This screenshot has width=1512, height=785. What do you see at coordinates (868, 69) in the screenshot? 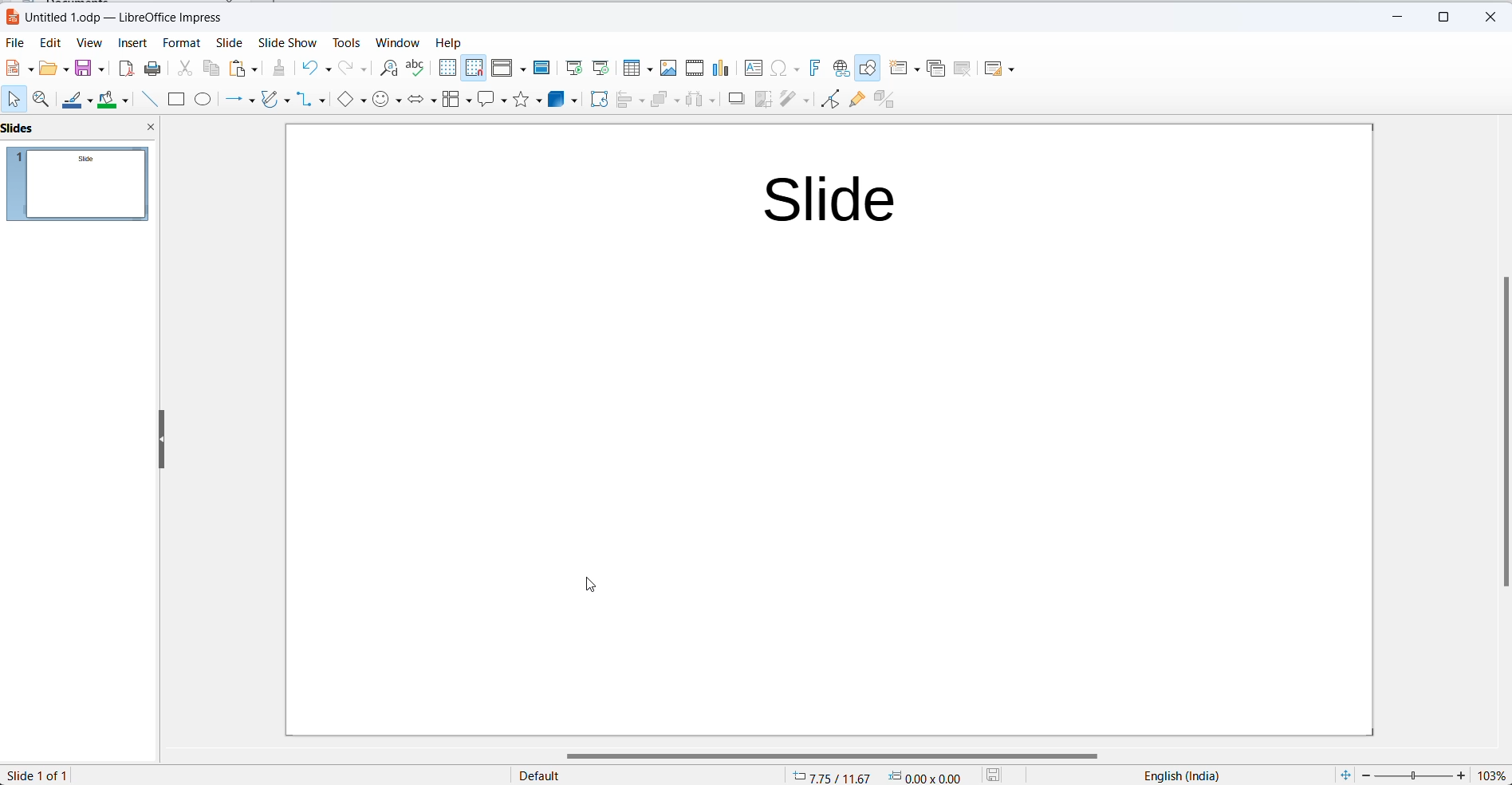
I see `show draw function` at bounding box center [868, 69].